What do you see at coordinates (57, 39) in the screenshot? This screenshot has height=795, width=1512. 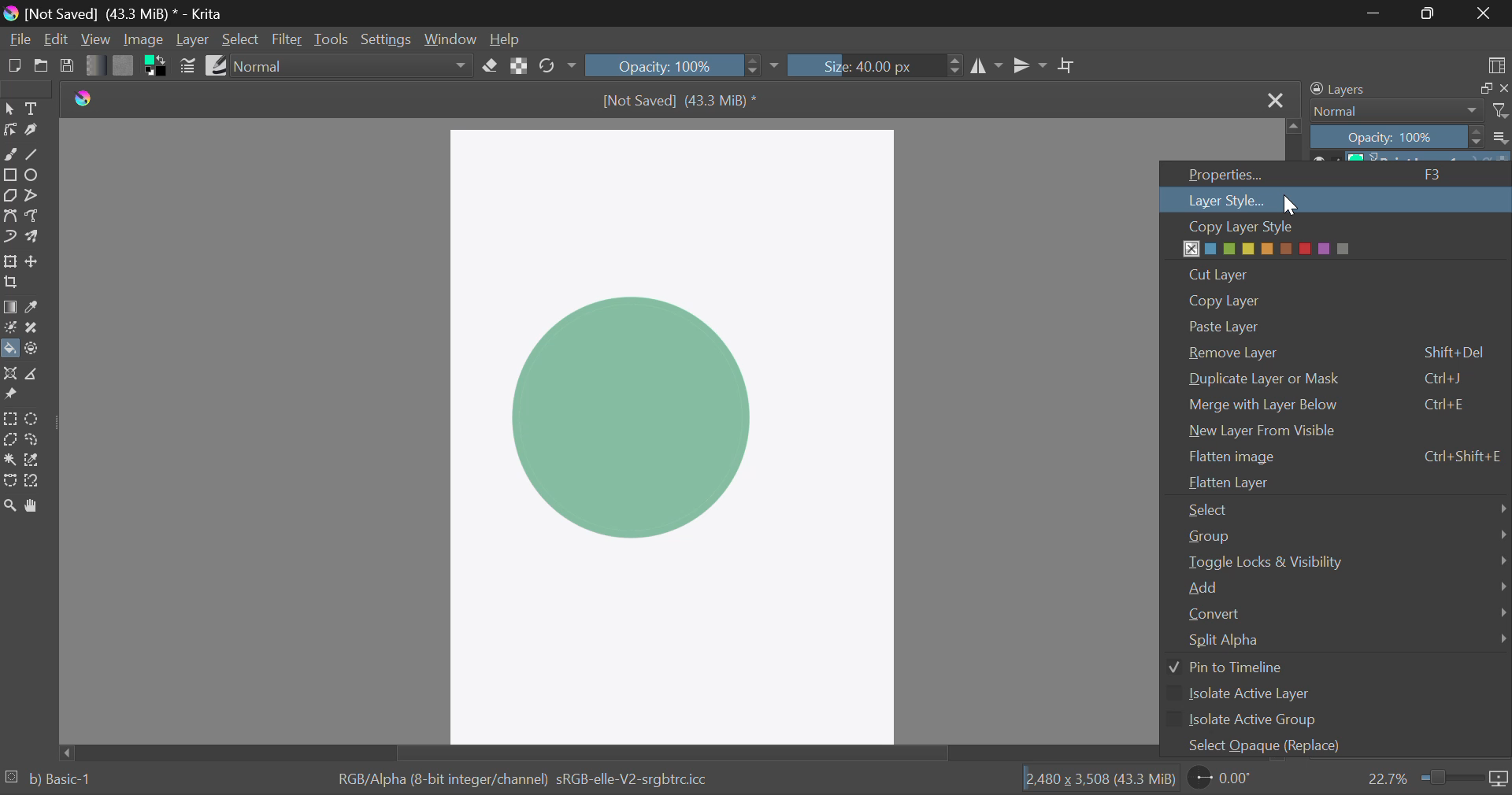 I see `Edit` at bounding box center [57, 39].